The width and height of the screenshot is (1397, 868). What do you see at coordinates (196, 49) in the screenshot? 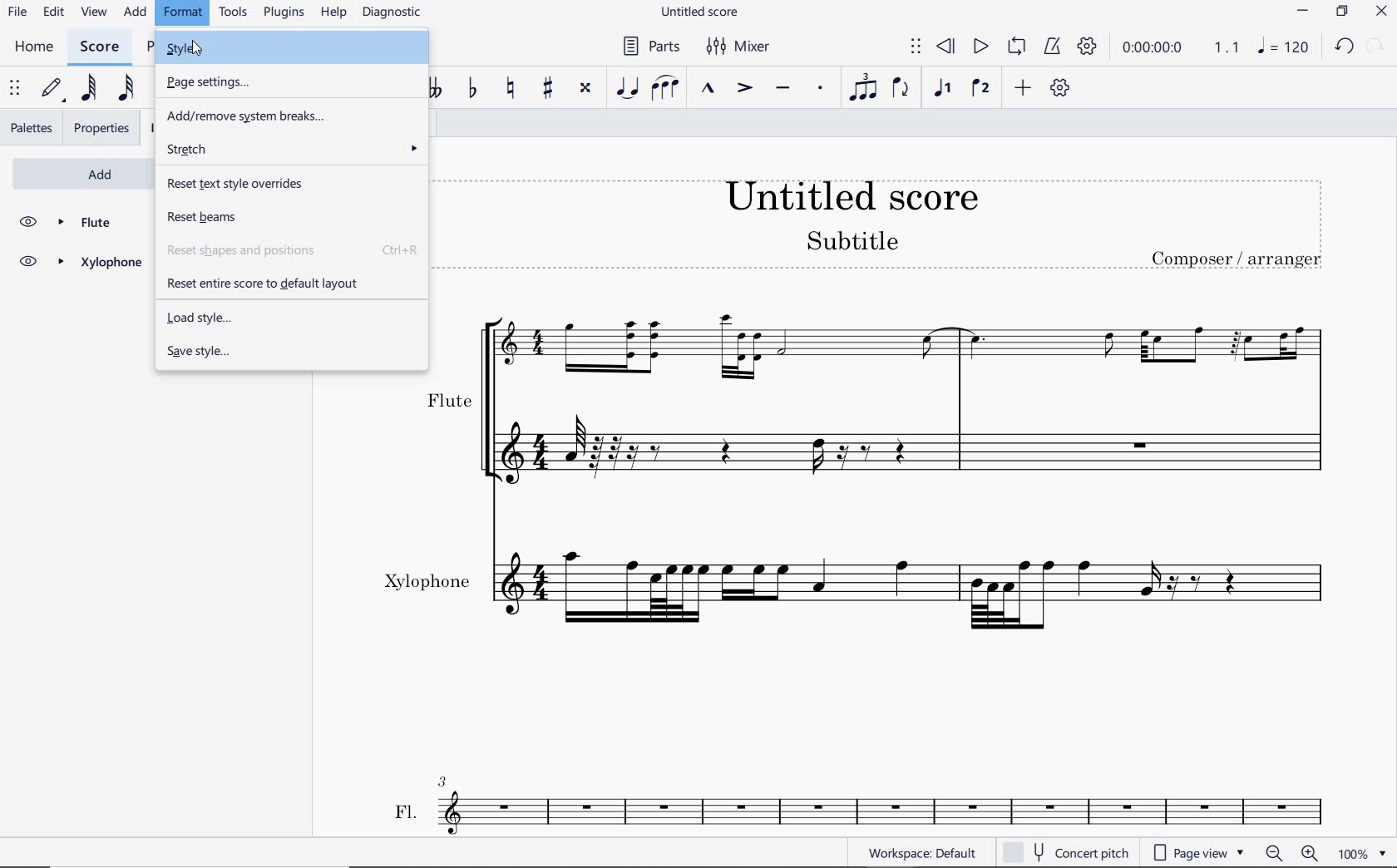
I see `cursor` at bounding box center [196, 49].